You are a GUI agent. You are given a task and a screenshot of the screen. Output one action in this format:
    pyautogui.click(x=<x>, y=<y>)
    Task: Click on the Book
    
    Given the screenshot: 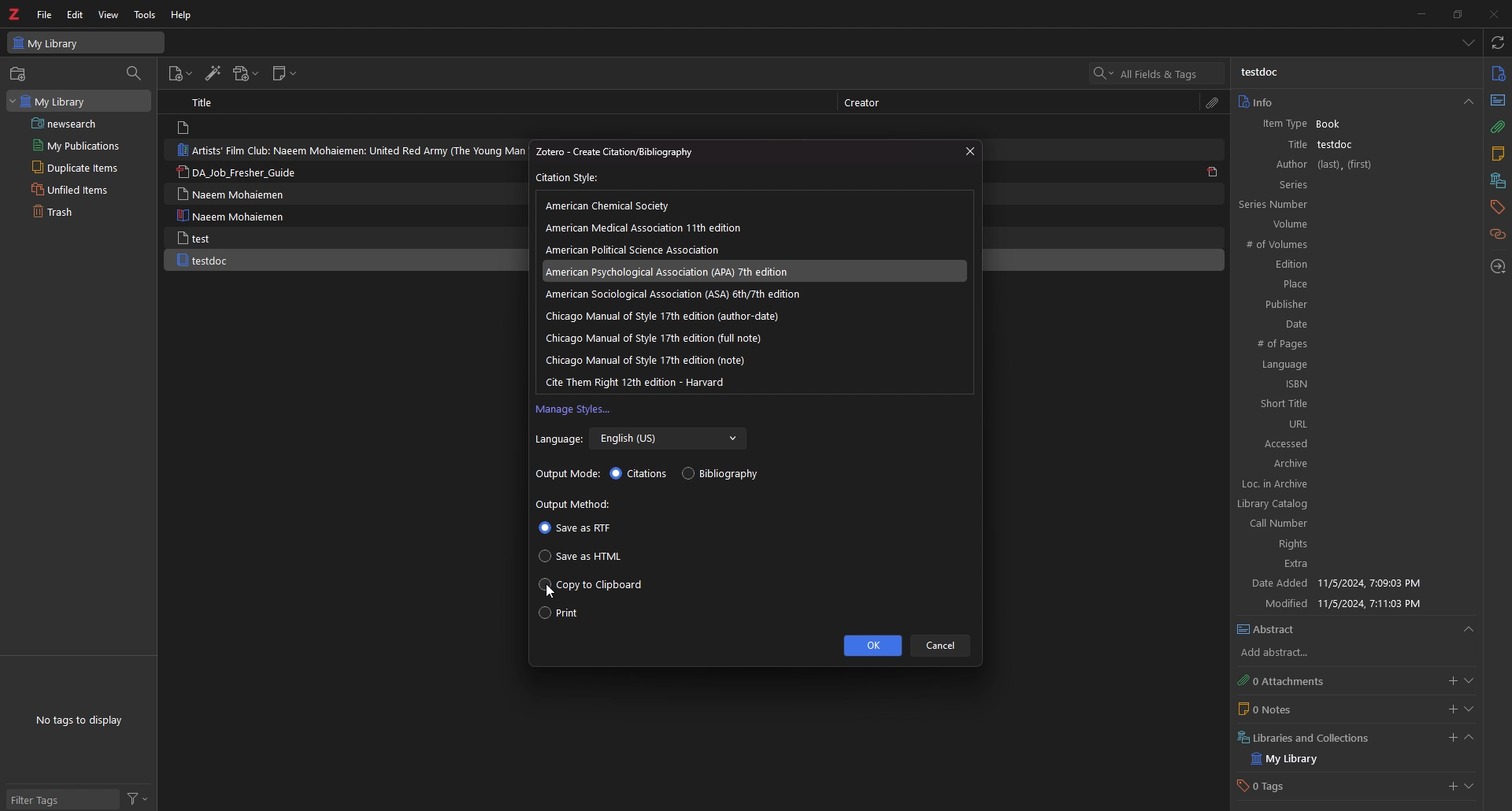 What is the action you would take?
    pyautogui.click(x=1336, y=124)
    